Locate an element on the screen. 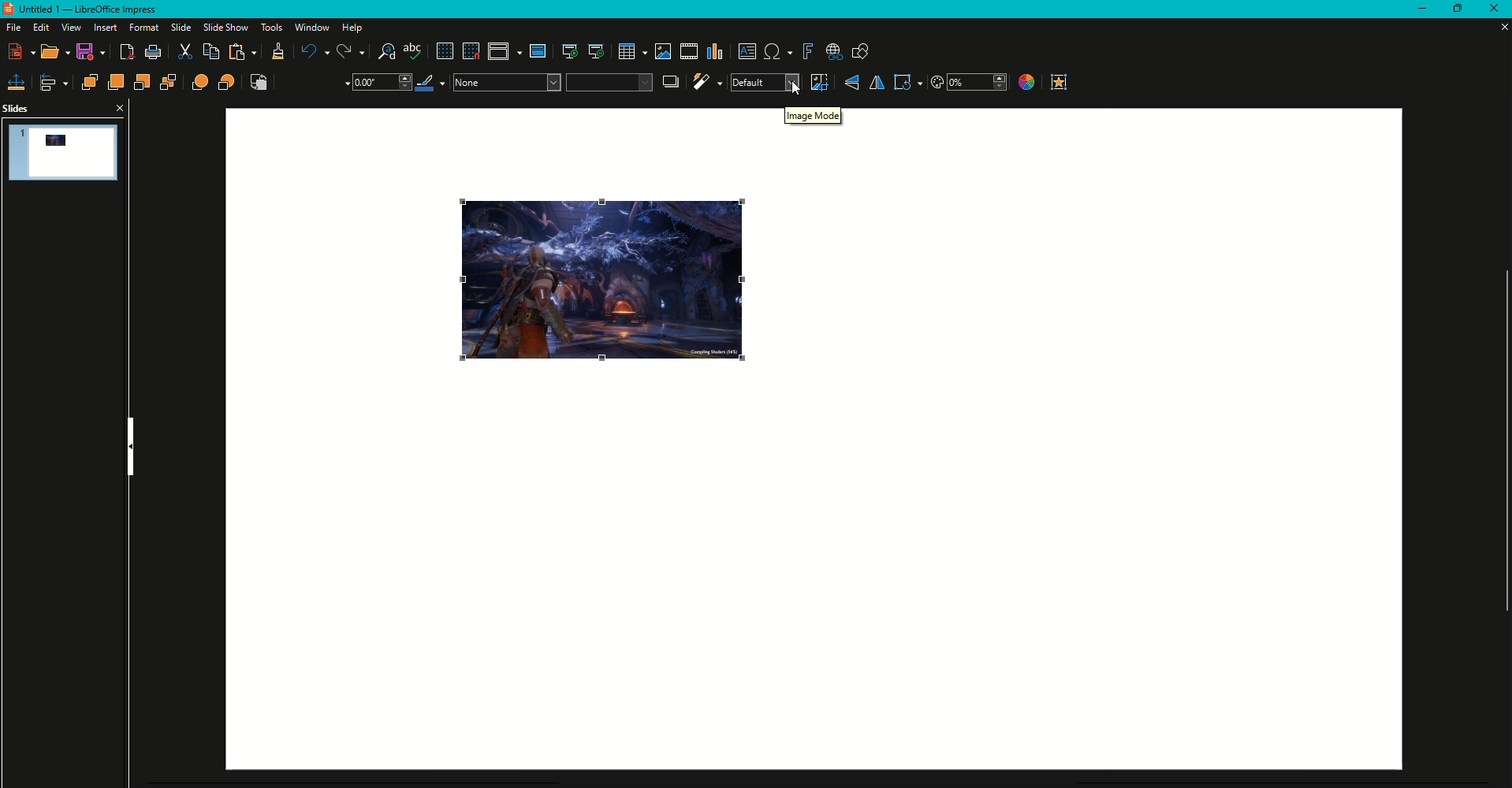  Insert is located at coordinates (102, 28).